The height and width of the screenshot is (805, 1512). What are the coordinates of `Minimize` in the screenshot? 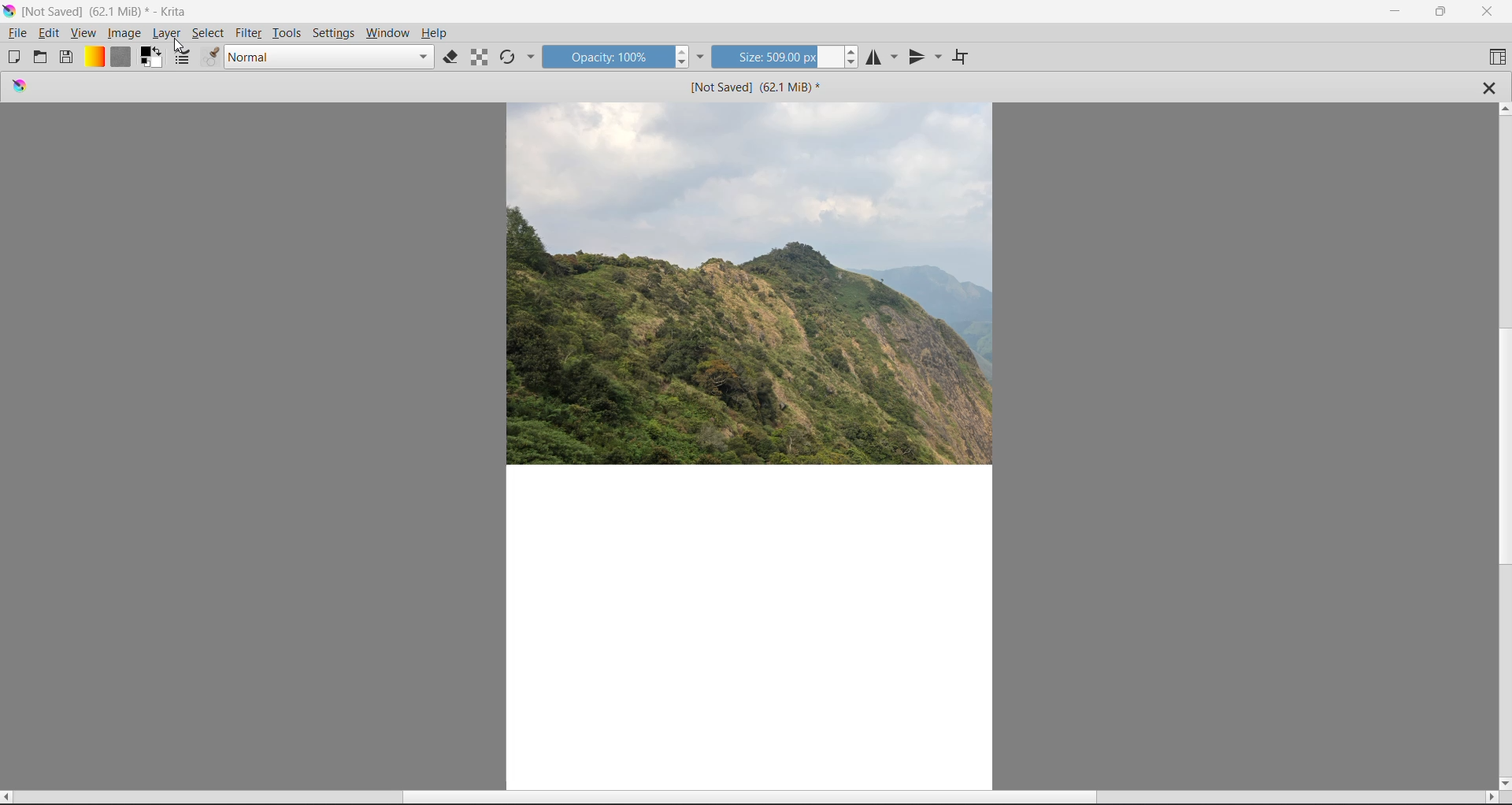 It's located at (1392, 9).